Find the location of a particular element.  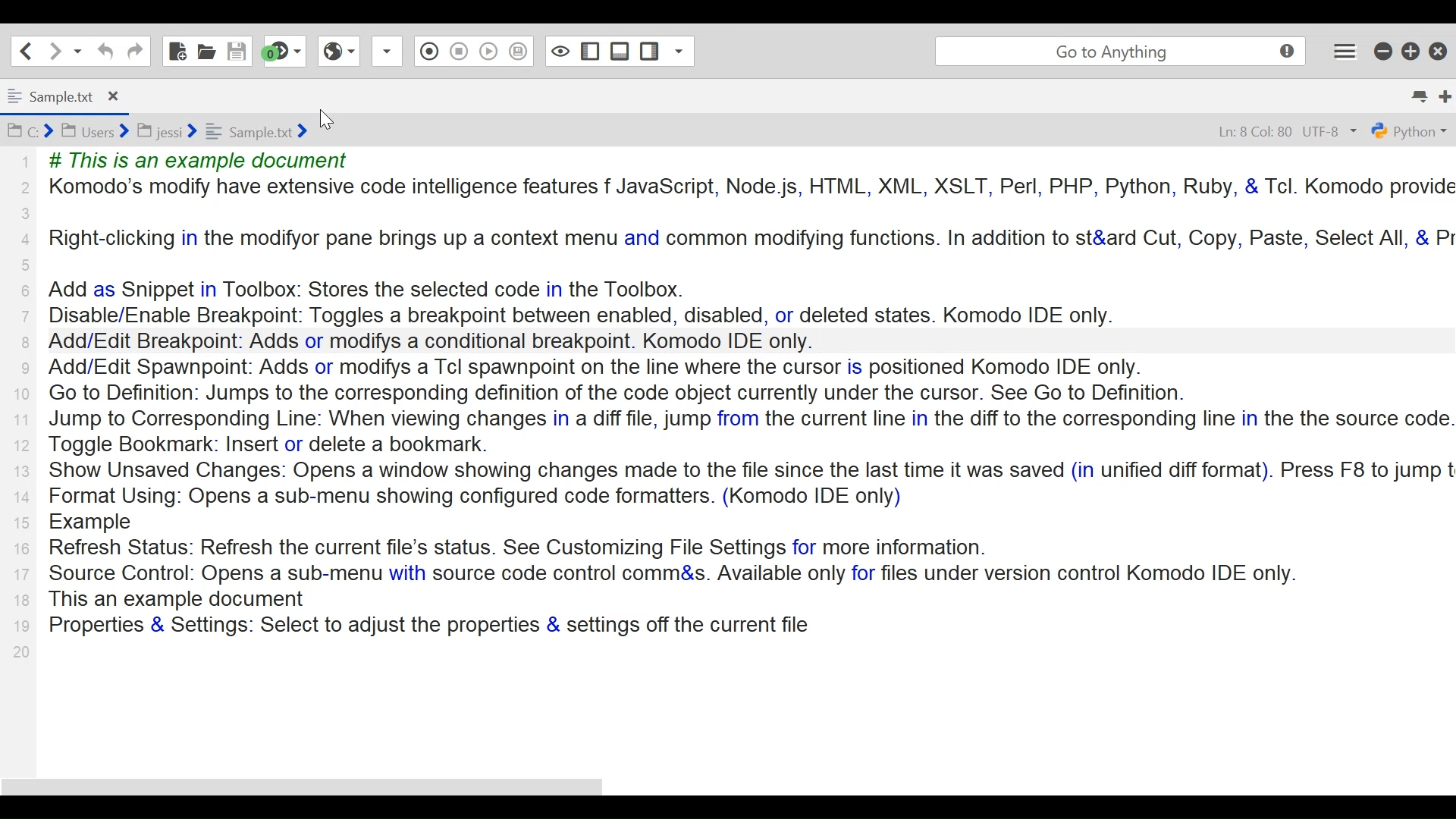

Search is located at coordinates (1119, 51).